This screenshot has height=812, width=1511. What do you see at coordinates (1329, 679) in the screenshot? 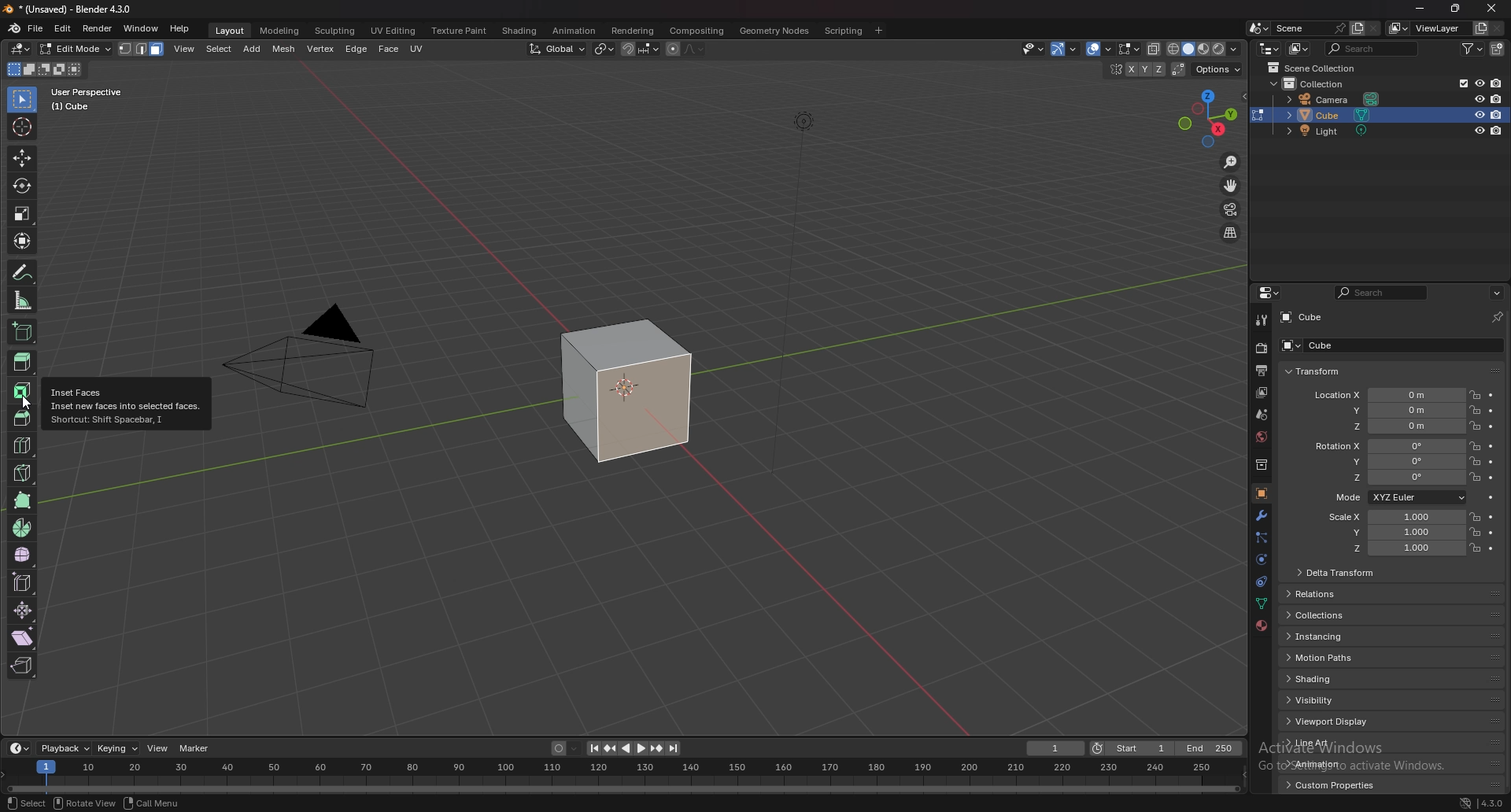
I see `shading` at bounding box center [1329, 679].